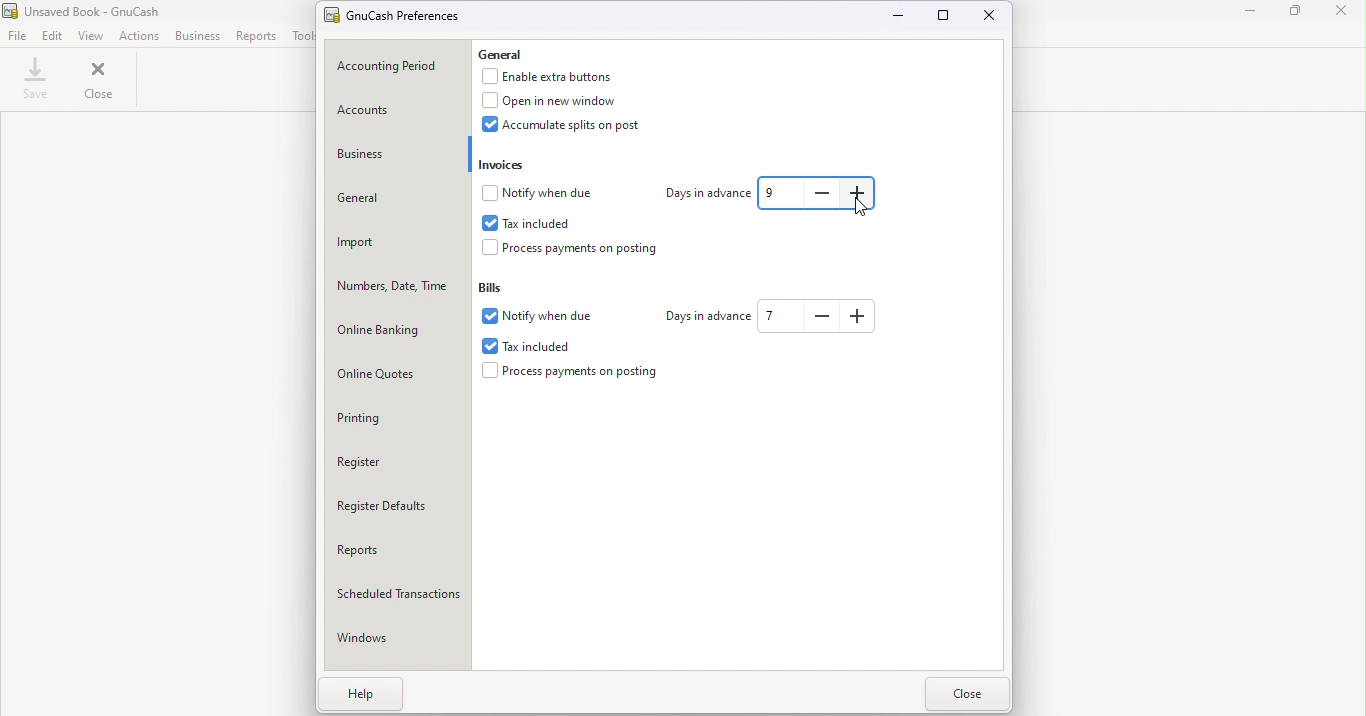  I want to click on Business , so click(394, 156).